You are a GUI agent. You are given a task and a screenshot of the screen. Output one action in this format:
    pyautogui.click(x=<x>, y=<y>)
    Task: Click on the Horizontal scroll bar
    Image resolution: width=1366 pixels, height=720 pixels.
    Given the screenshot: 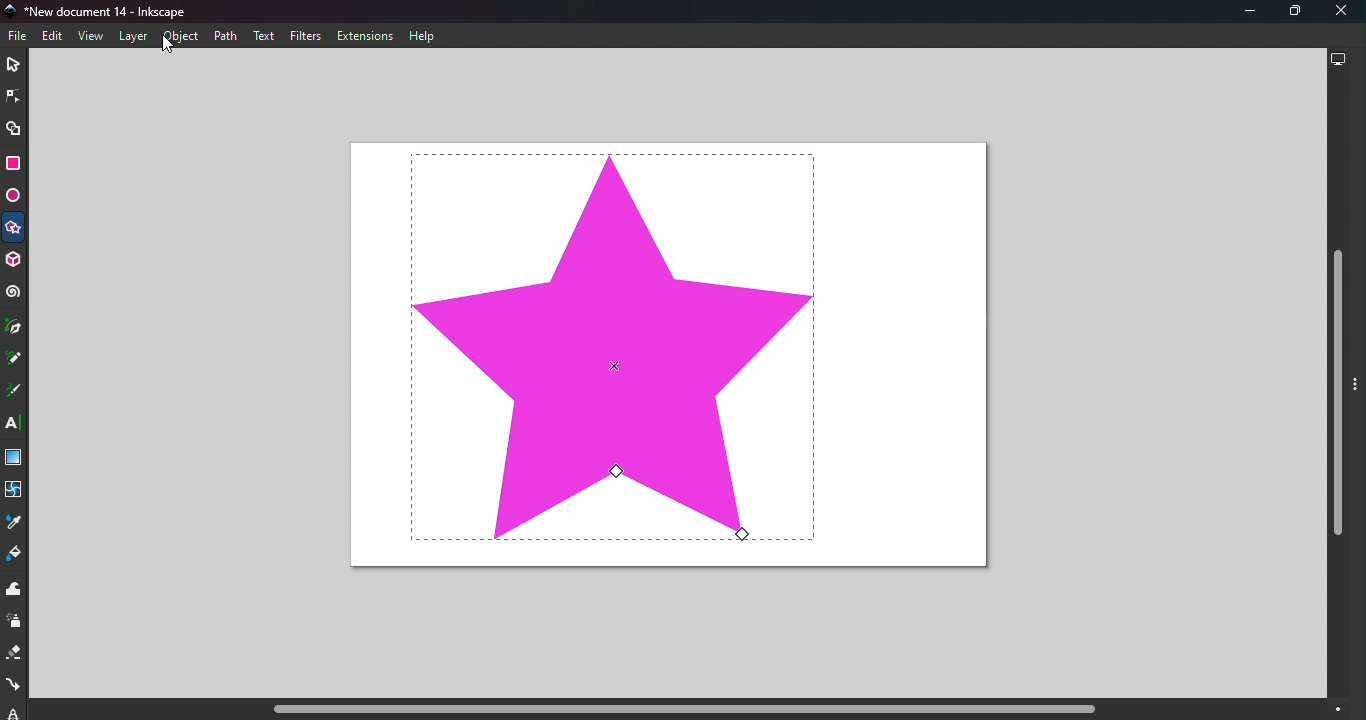 What is the action you would take?
    pyautogui.click(x=676, y=710)
    